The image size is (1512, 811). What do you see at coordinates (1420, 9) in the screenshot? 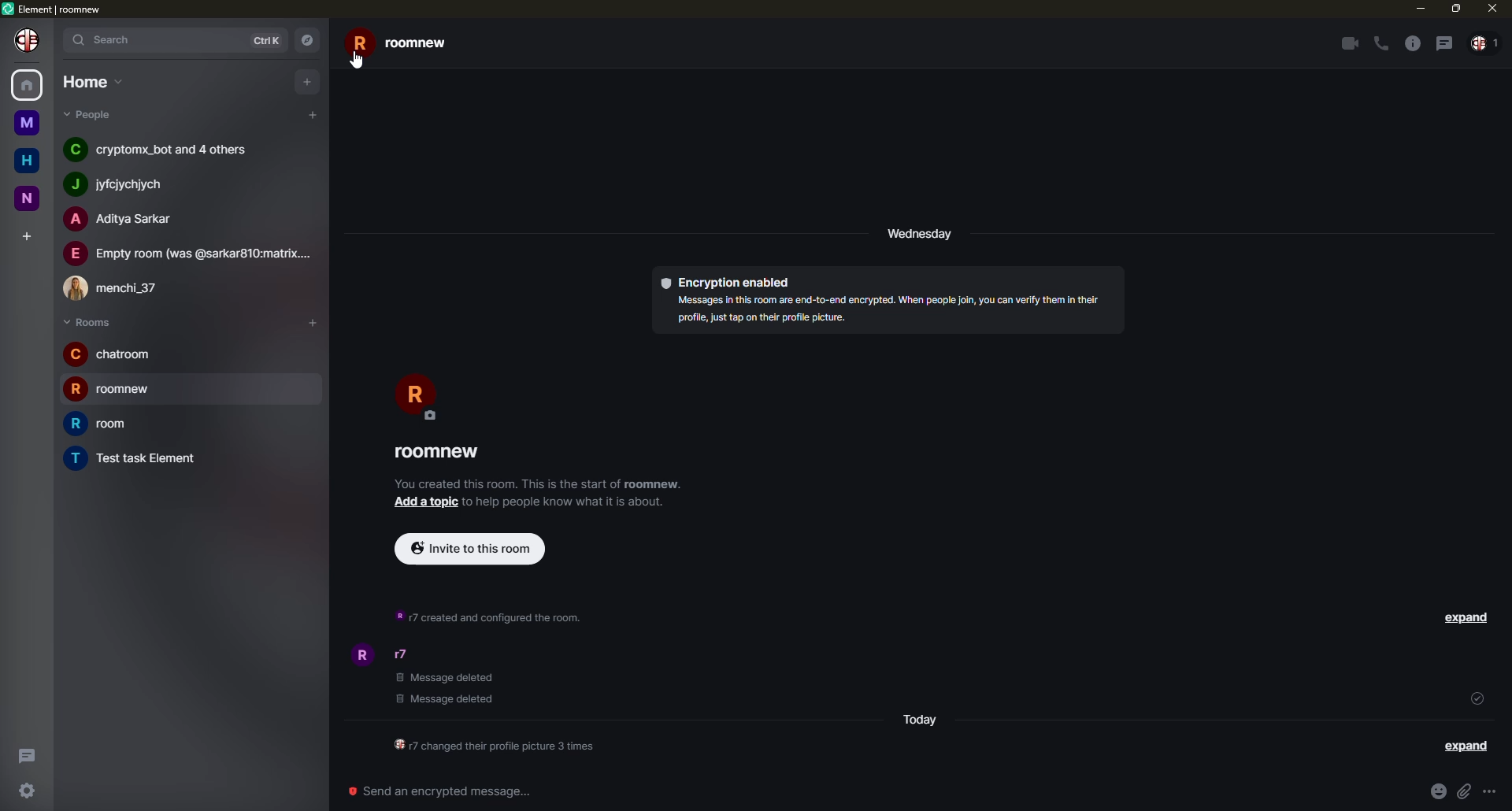
I see `mi` at bounding box center [1420, 9].